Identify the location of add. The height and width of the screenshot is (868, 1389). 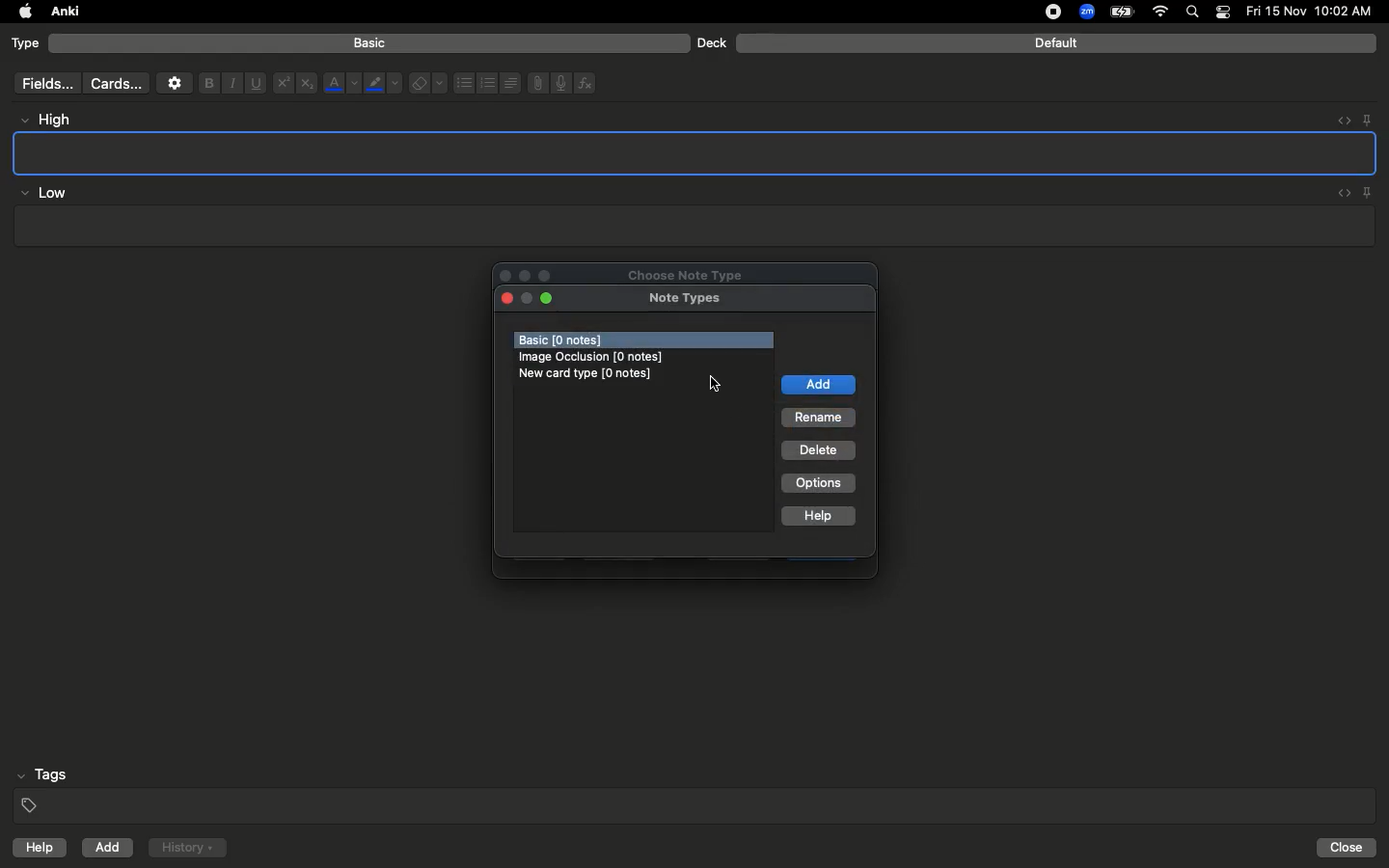
(818, 385).